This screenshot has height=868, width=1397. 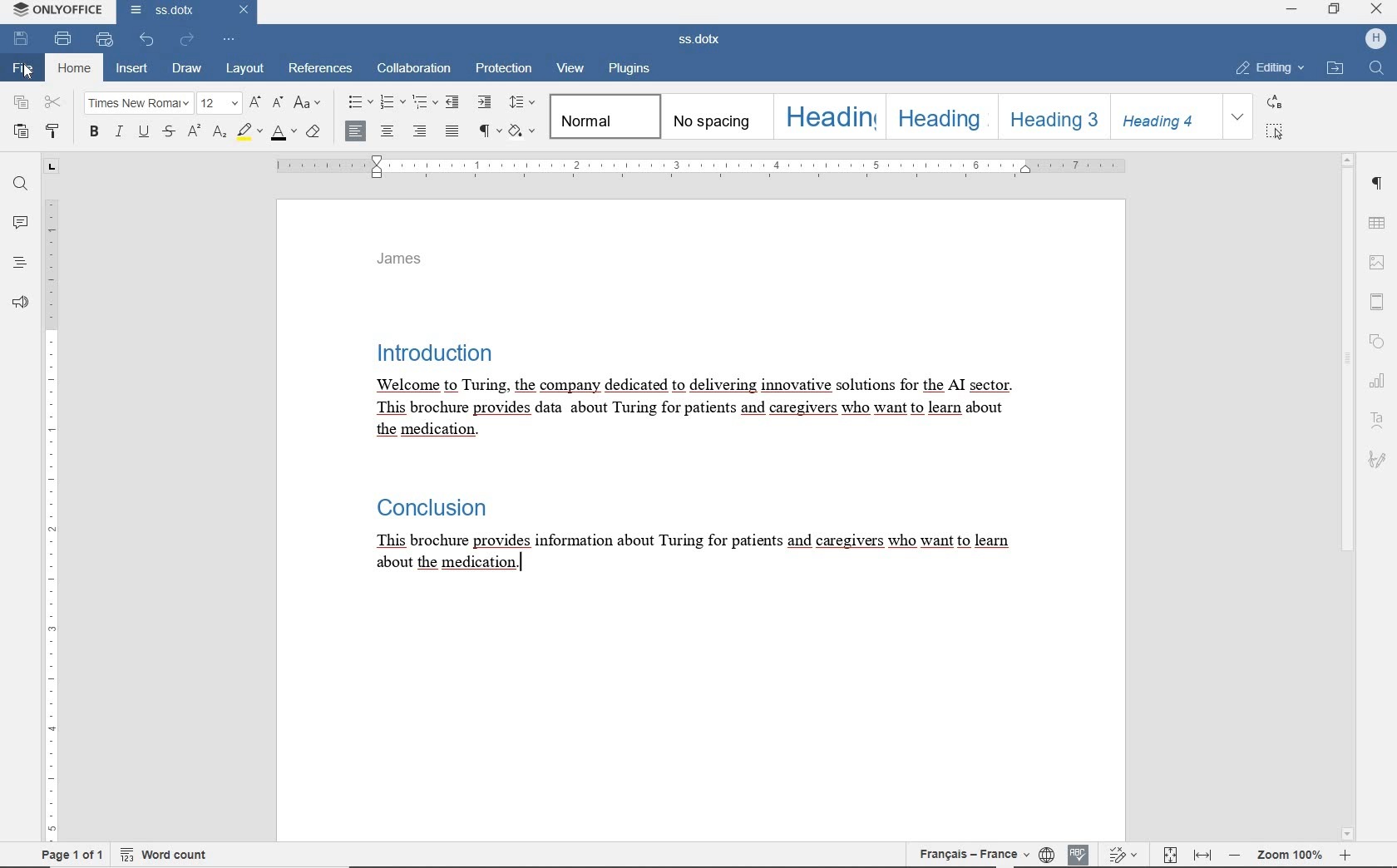 I want to click on INCREMENT FONT SIZE, so click(x=254, y=105).